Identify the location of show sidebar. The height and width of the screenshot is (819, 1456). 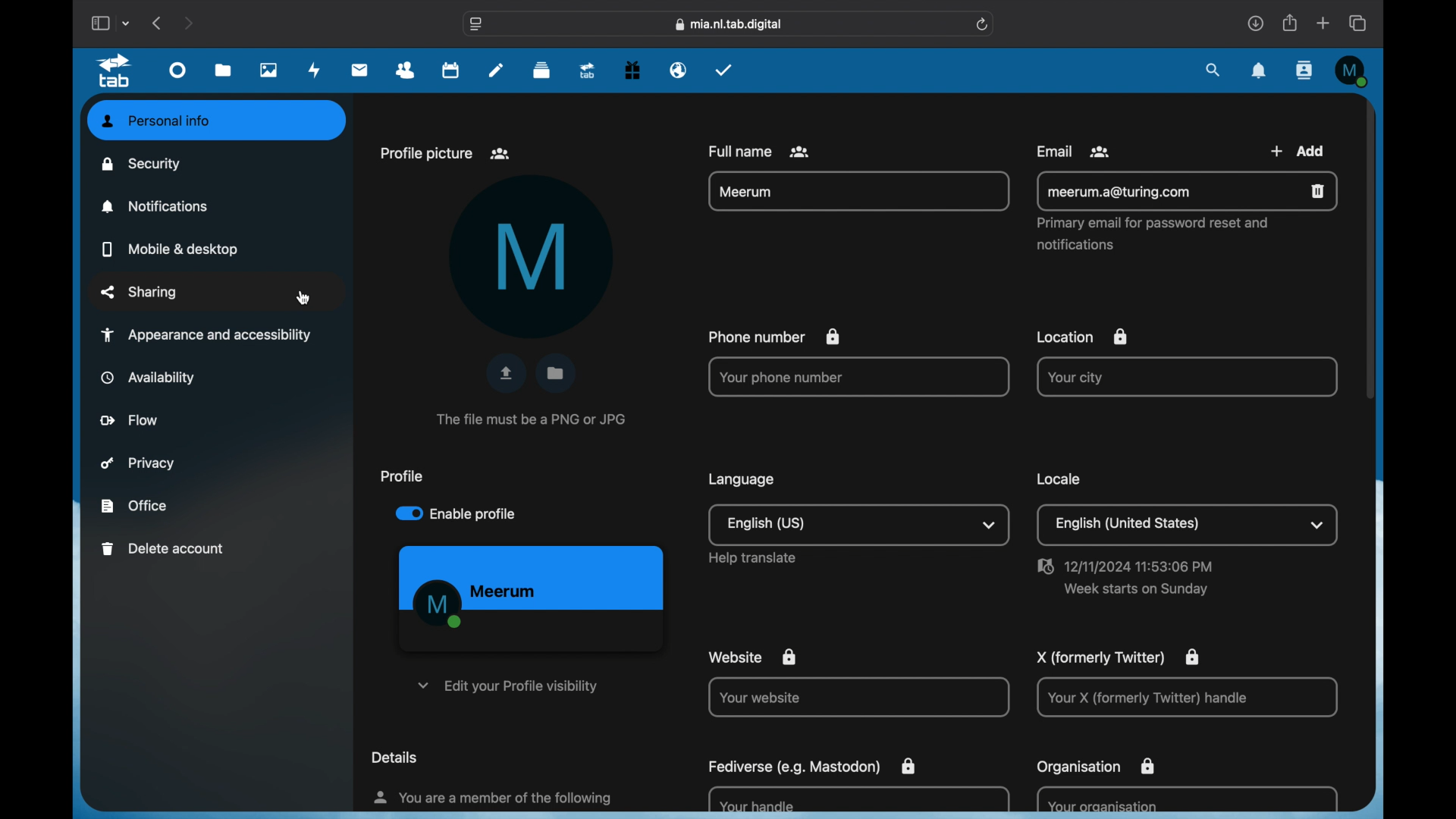
(99, 23).